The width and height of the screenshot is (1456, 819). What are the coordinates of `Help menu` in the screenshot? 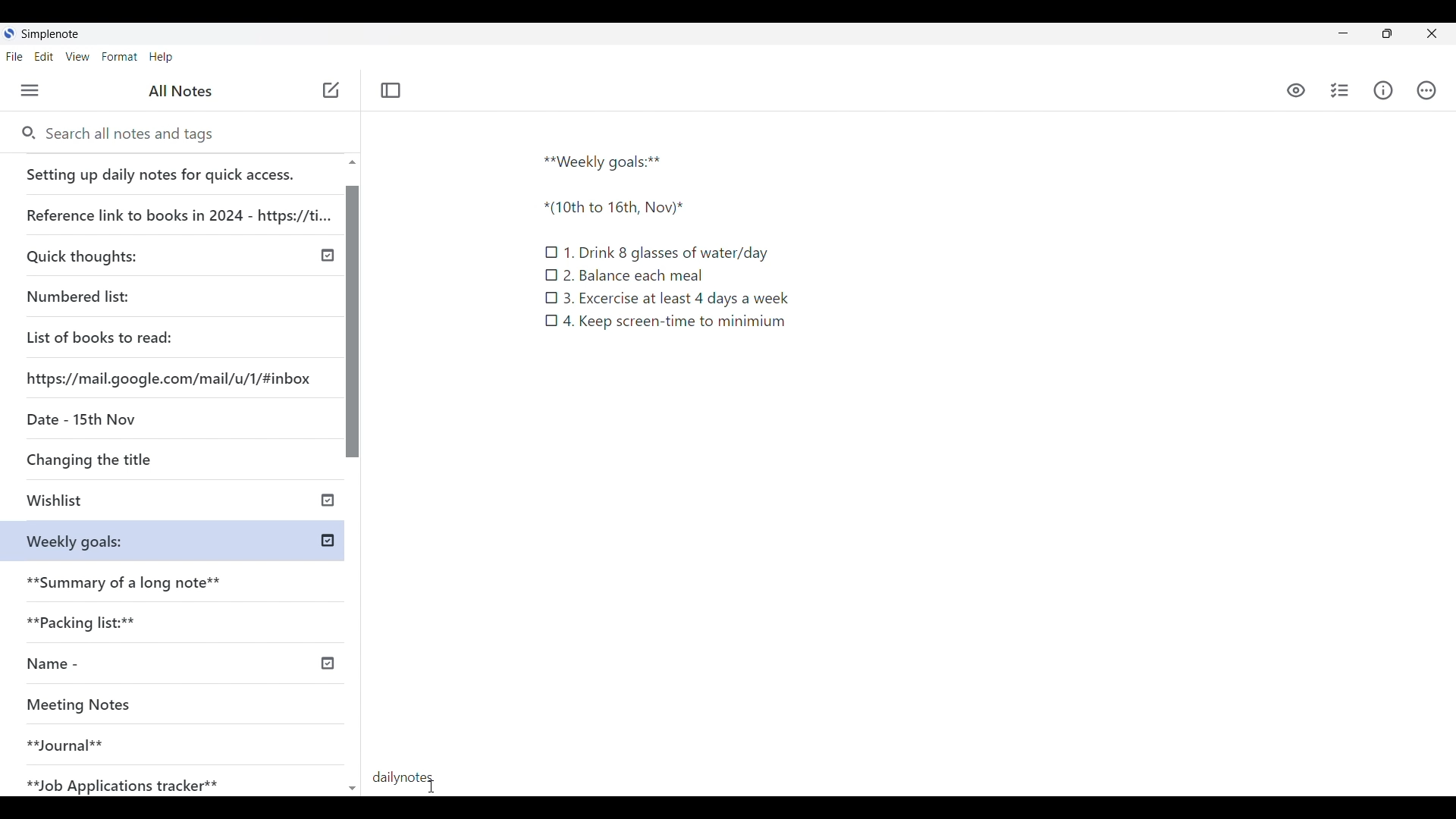 It's located at (161, 57).